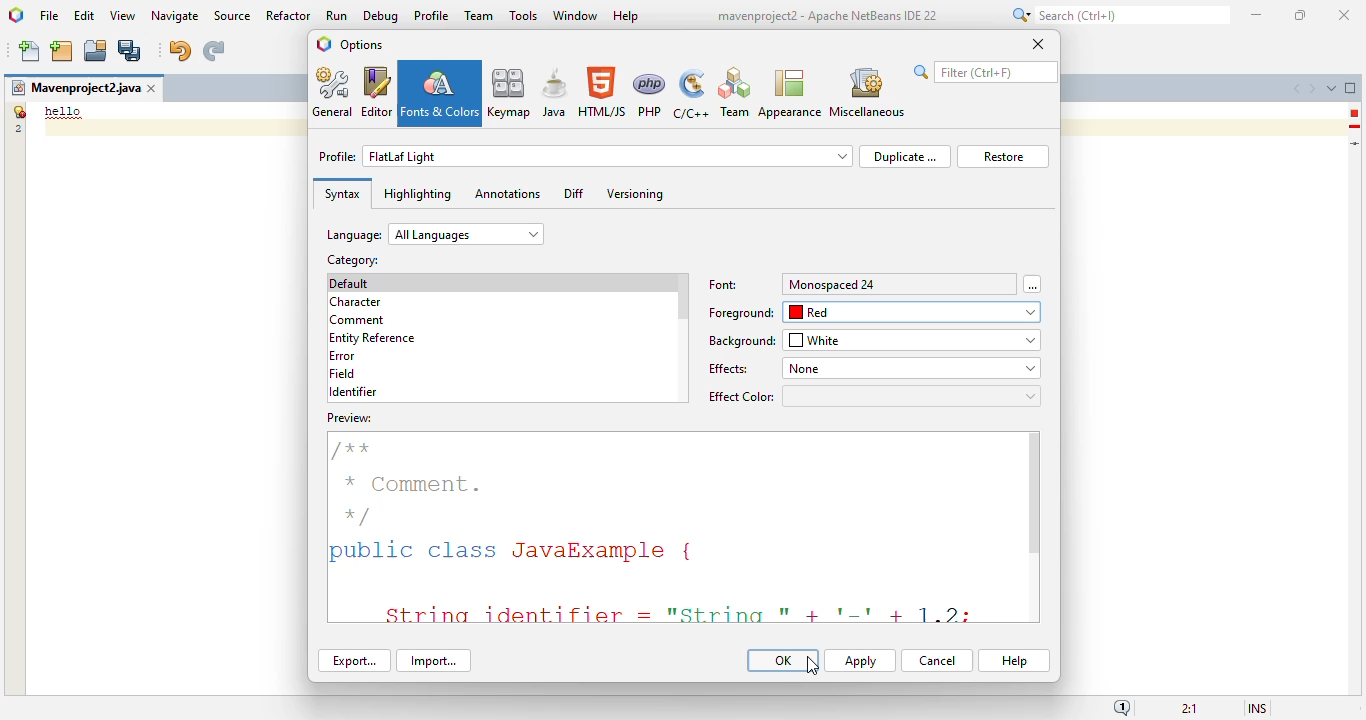  Describe the element at coordinates (289, 15) in the screenshot. I see `refactor` at that location.